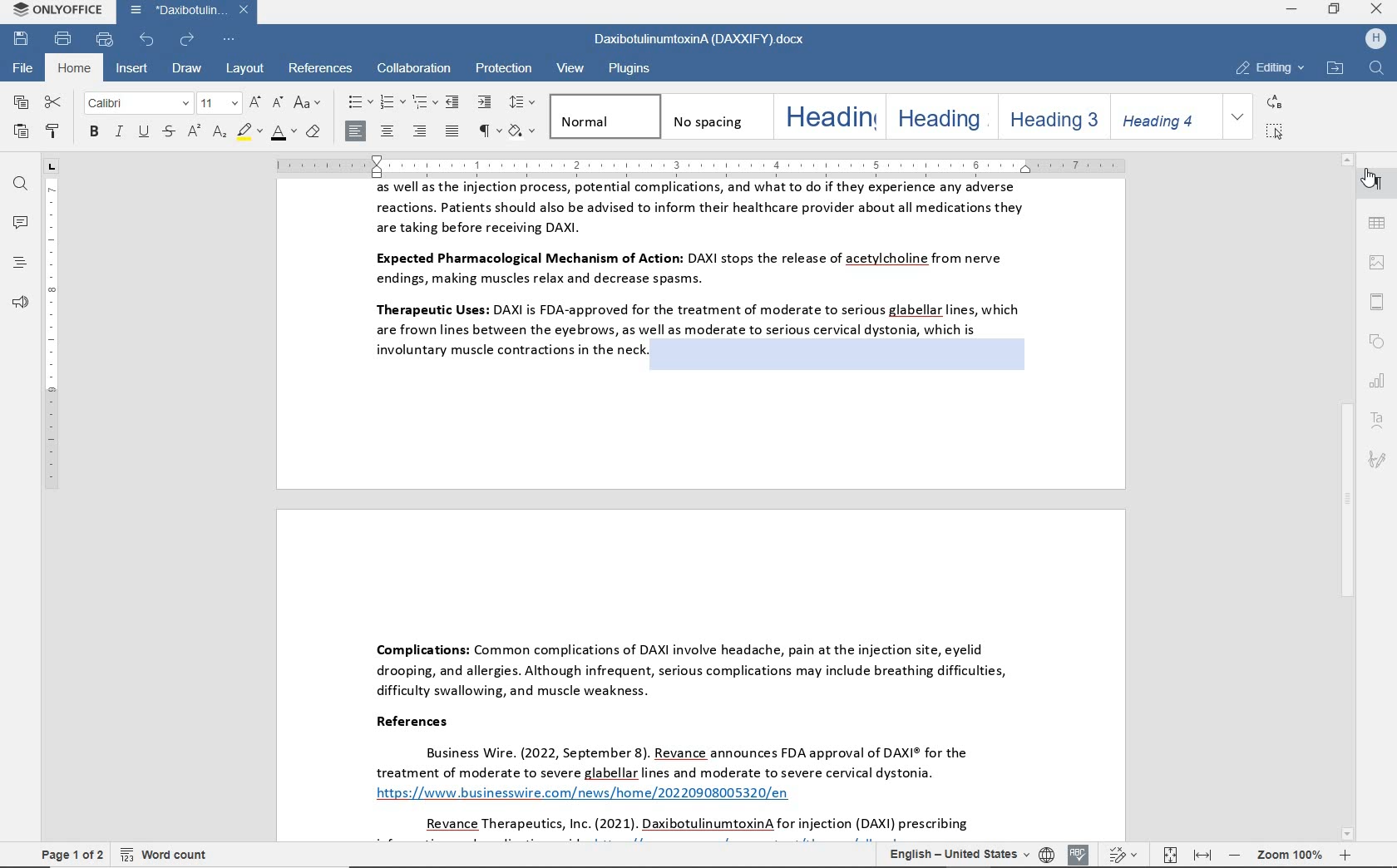 Image resolution: width=1397 pixels, height=868 pixels. Describe the element at coordinates (250, 133) in the screenshot. I see `highlight color` at that location.